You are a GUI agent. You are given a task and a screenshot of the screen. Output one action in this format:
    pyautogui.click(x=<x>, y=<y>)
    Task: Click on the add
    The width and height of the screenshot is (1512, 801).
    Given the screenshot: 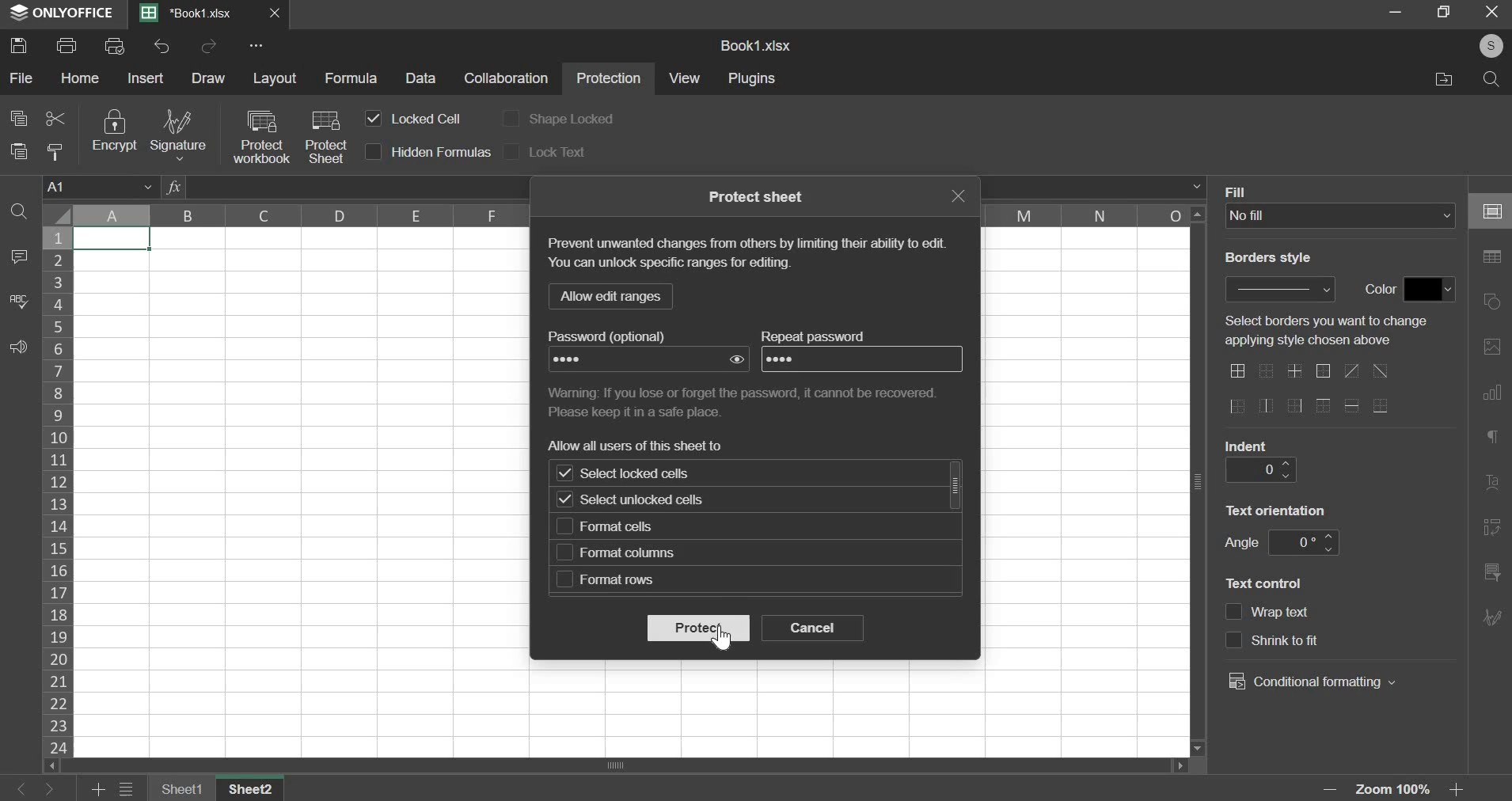 What is the action you would take?
    pyautogui.click(x=100, y=790)
    